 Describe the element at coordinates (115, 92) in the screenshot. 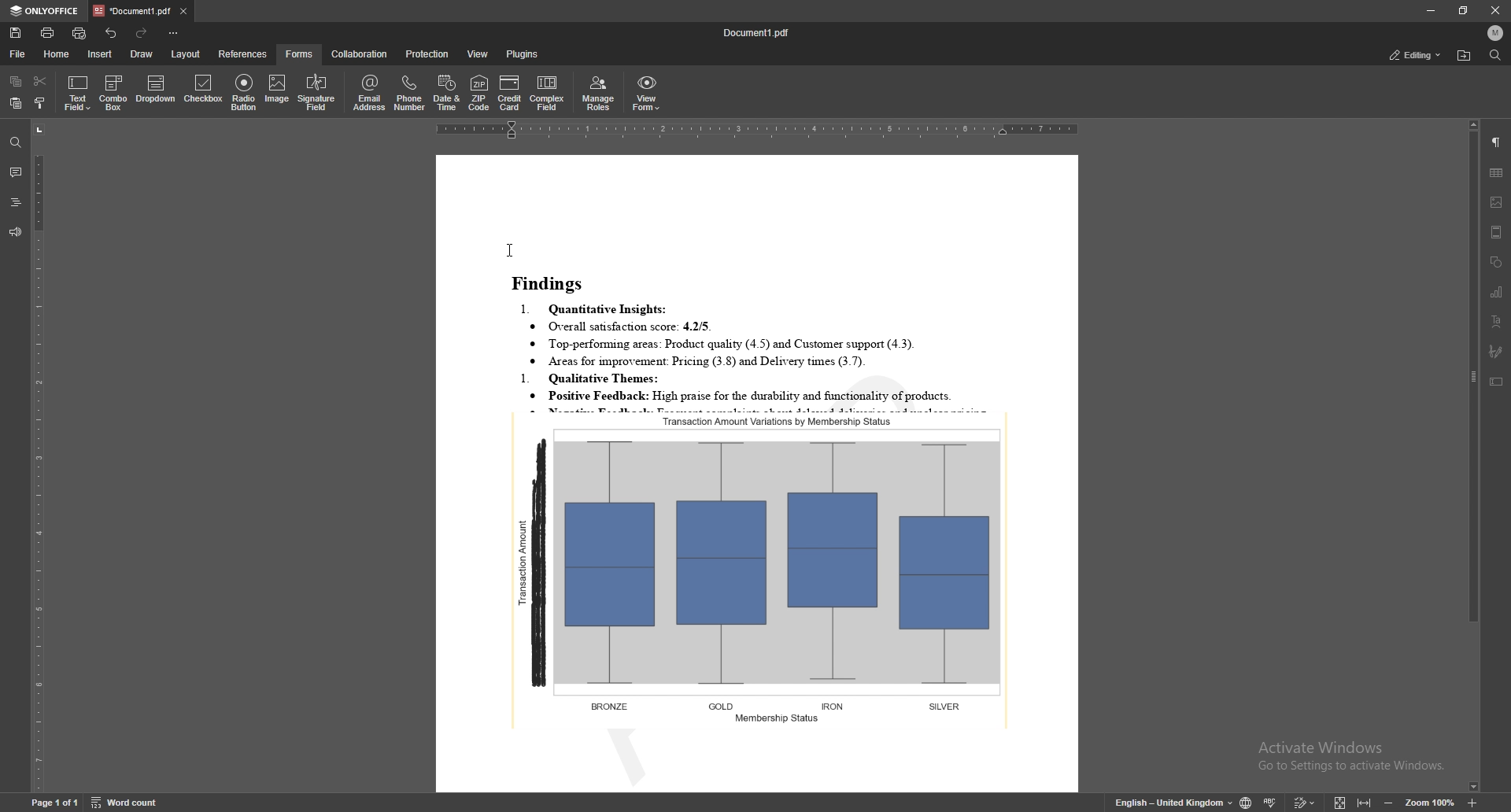

I see `combo box` at that location.